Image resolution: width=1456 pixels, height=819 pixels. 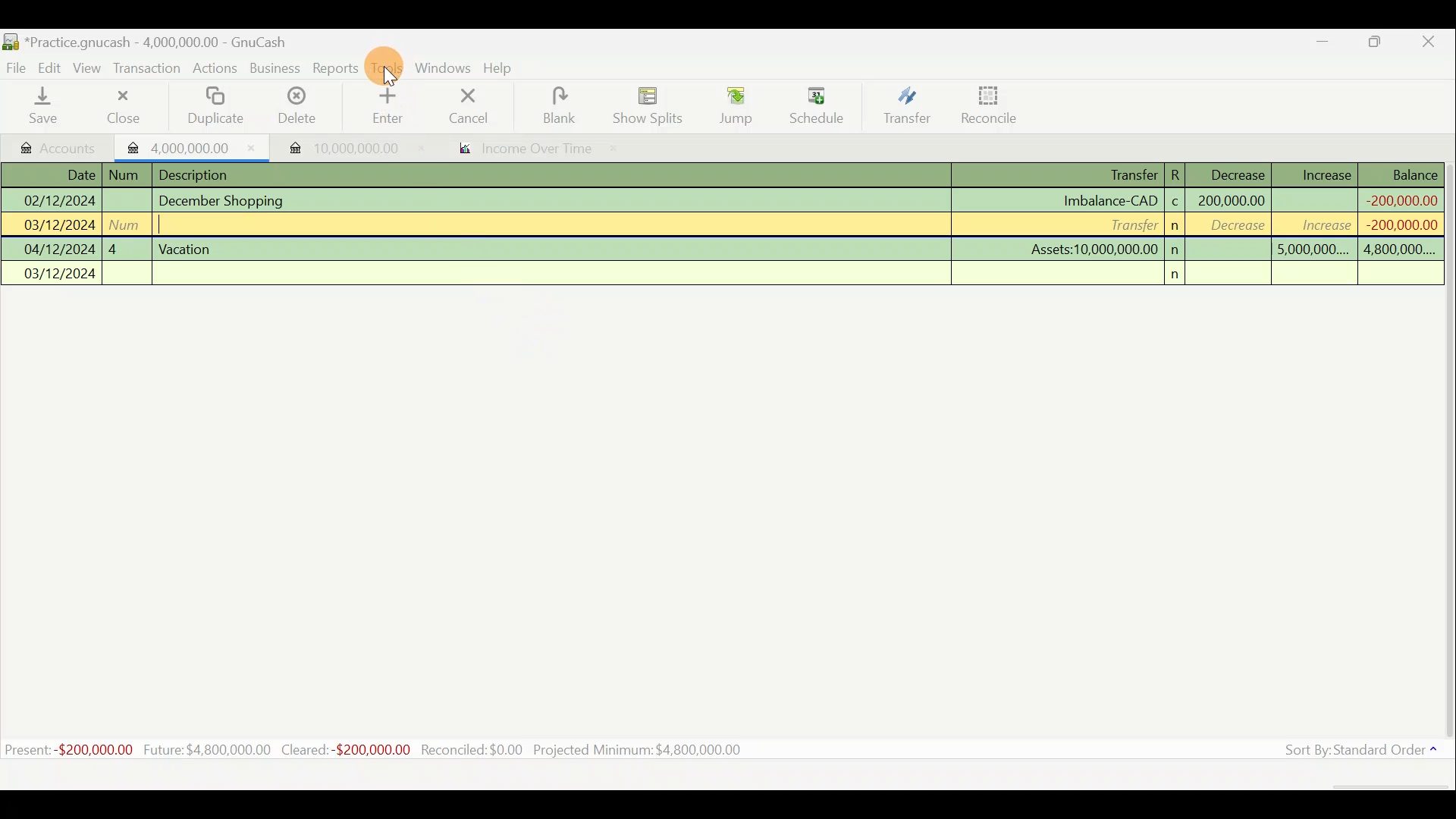 I want to click on View, so click(x=92, y=67).